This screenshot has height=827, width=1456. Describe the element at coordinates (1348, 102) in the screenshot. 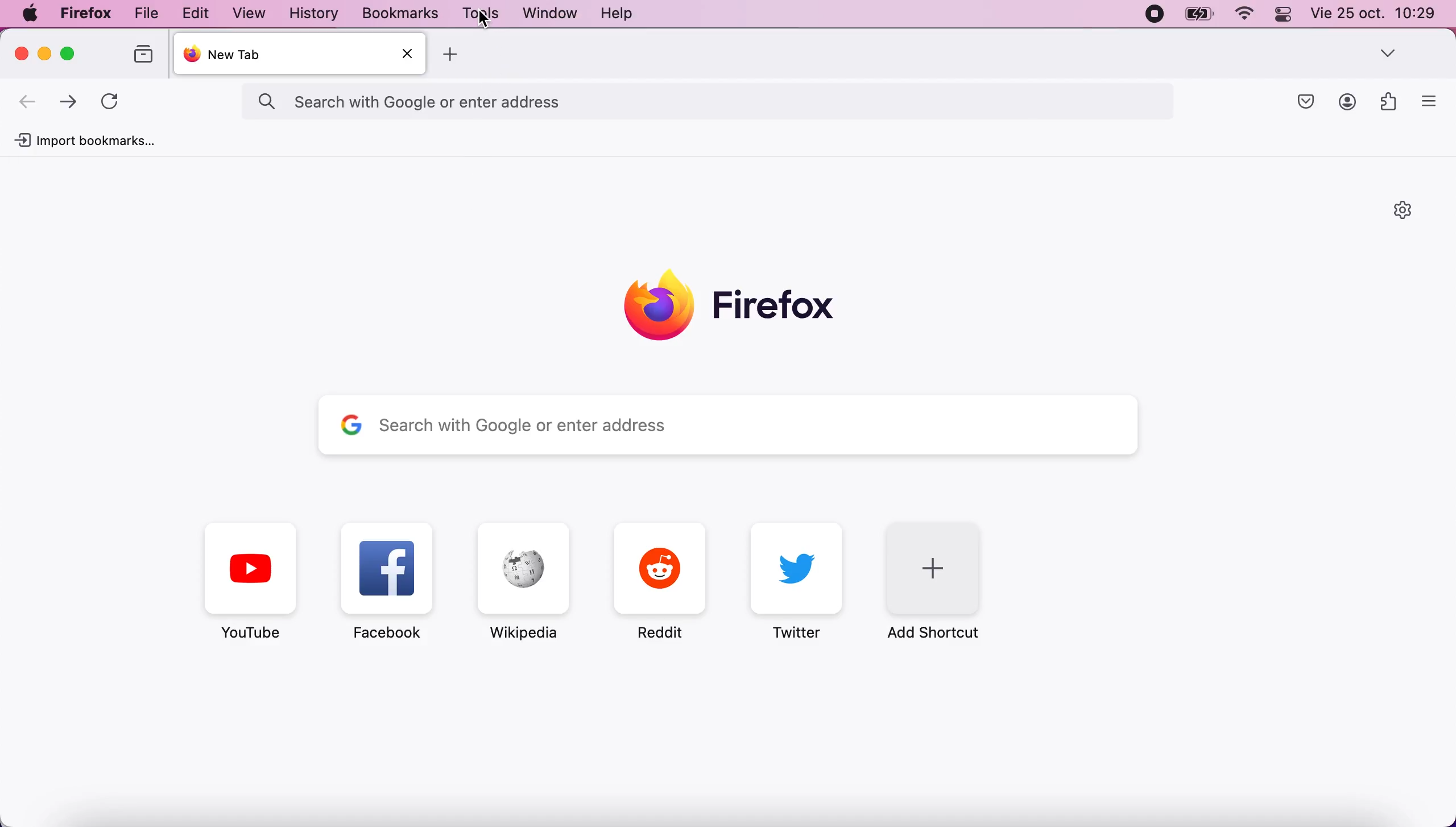

I see `Profile` at that location.